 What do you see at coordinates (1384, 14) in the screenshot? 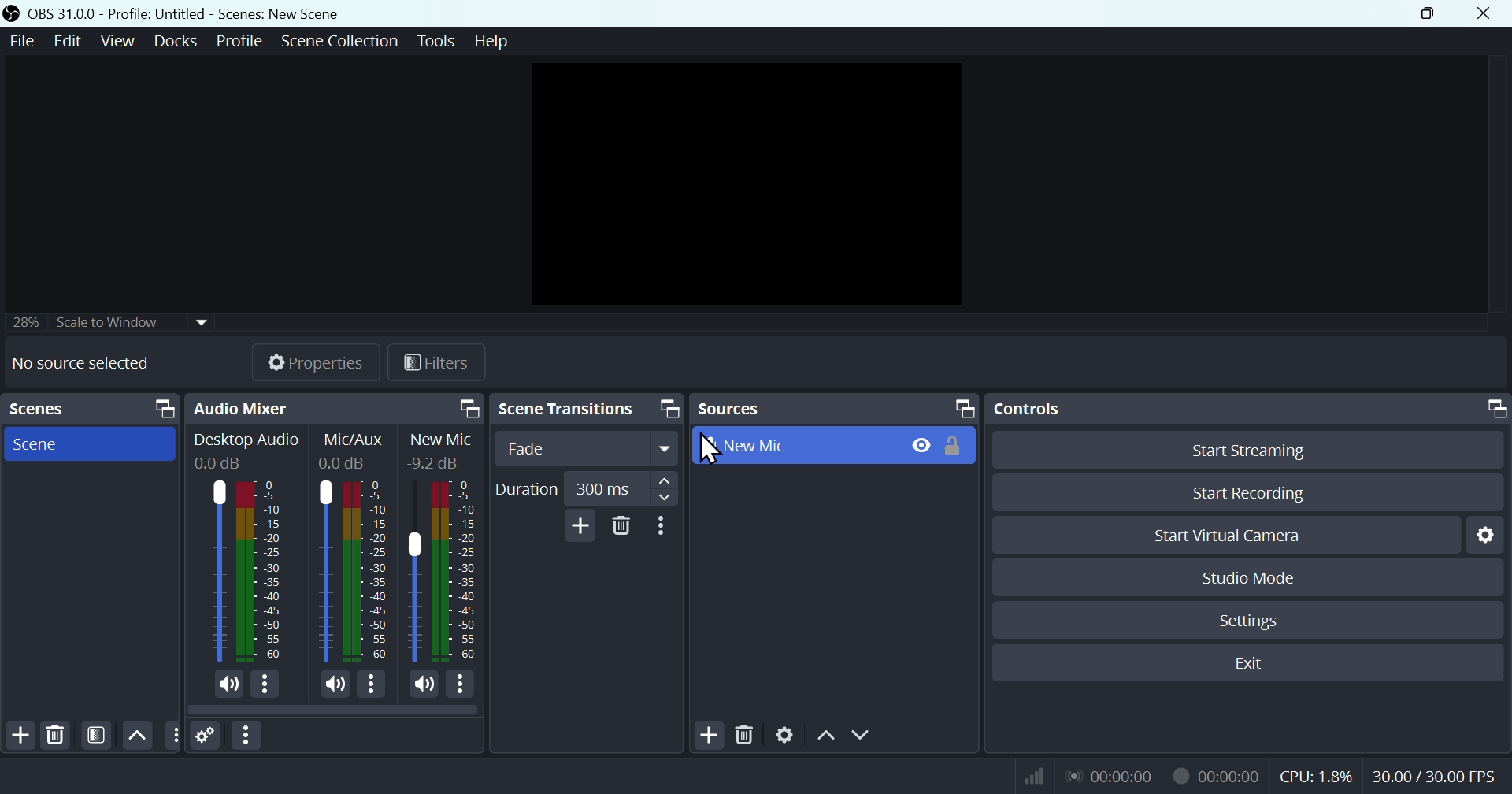
I see `minimise` at bounding box center [1384, 14].